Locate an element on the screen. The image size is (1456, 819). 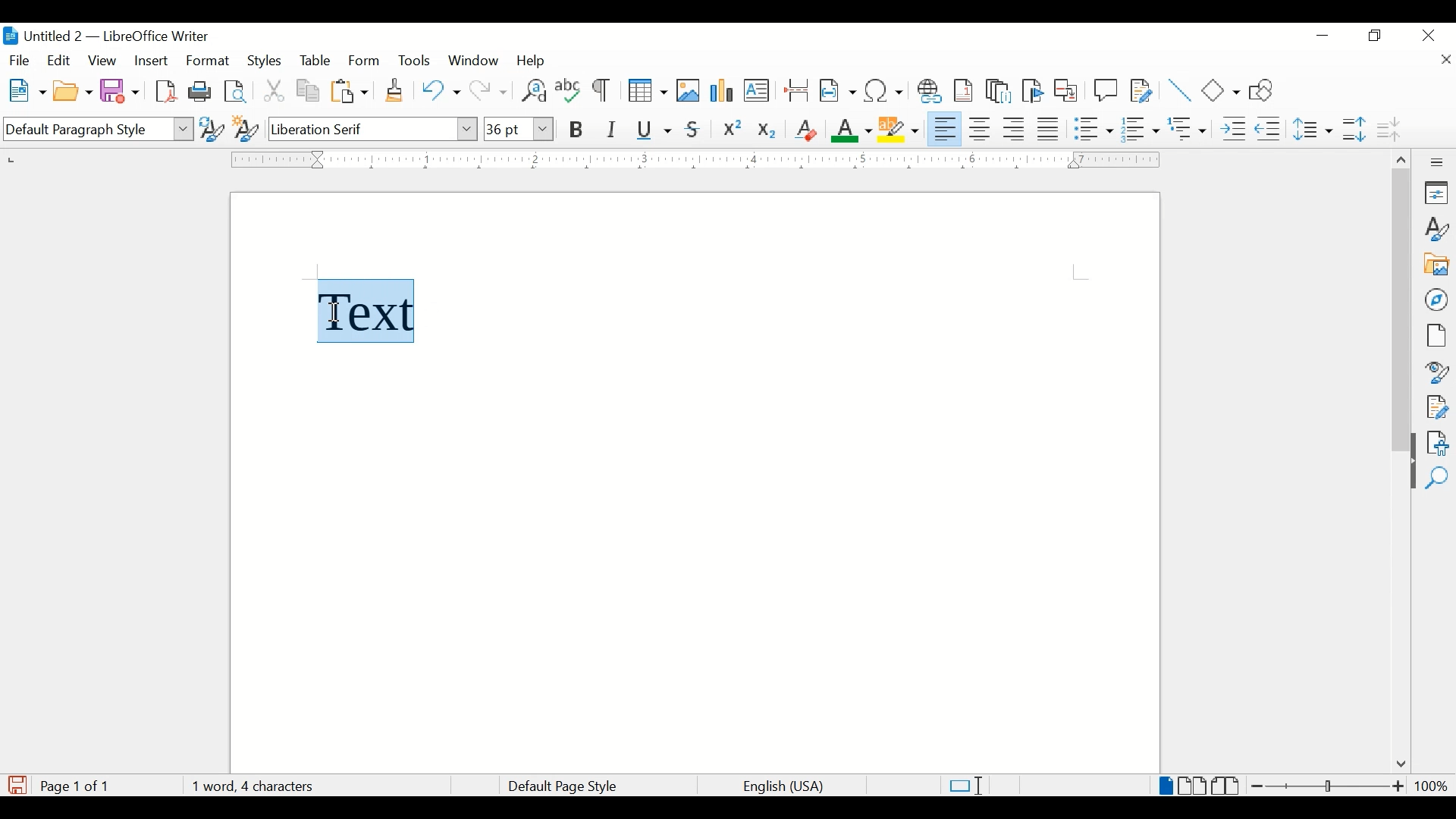
align left is located at coordinates (946, 127).